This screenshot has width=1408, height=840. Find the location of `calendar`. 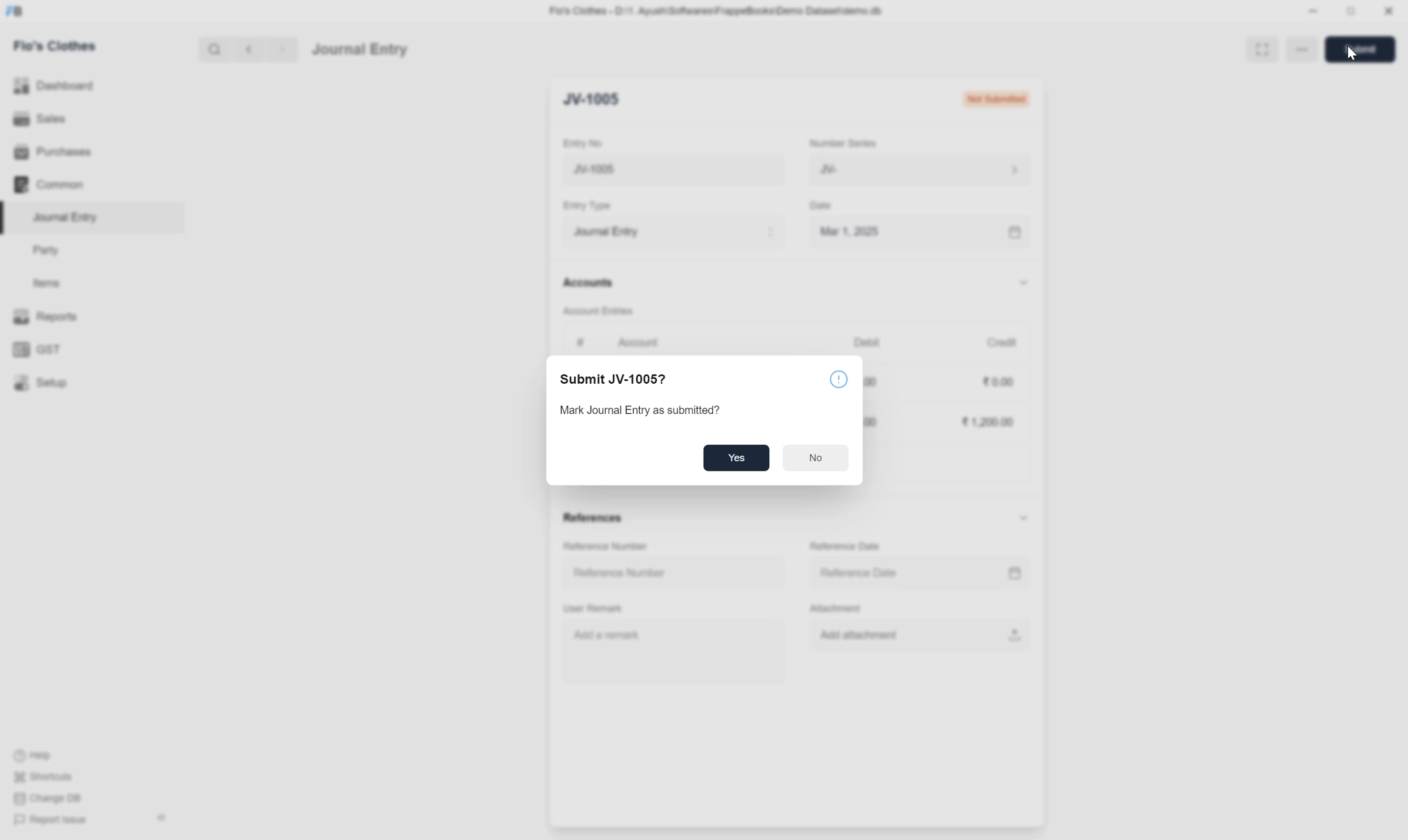

calendar is located at coordinates (1013, 573).